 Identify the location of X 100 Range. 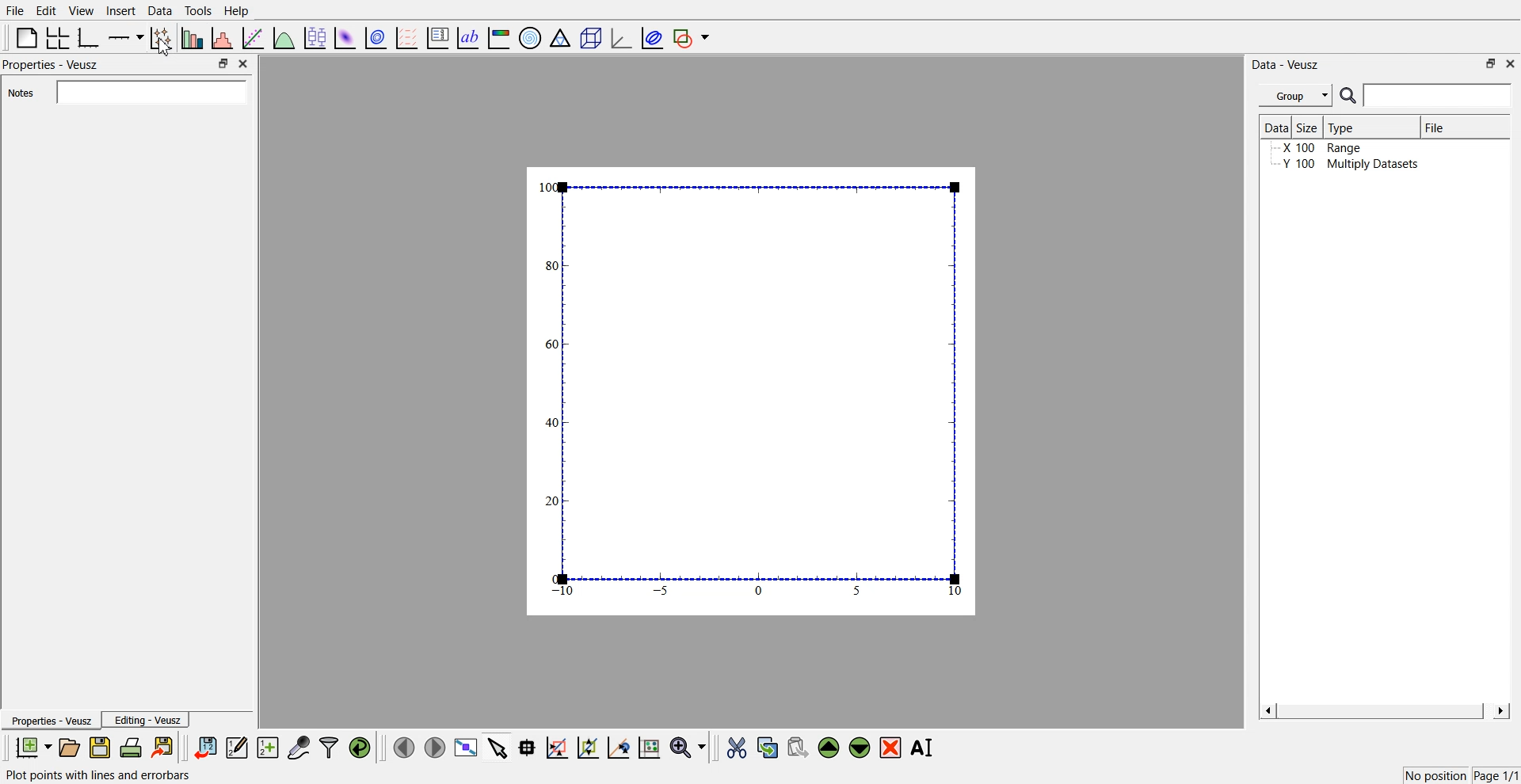
(1325, 150).